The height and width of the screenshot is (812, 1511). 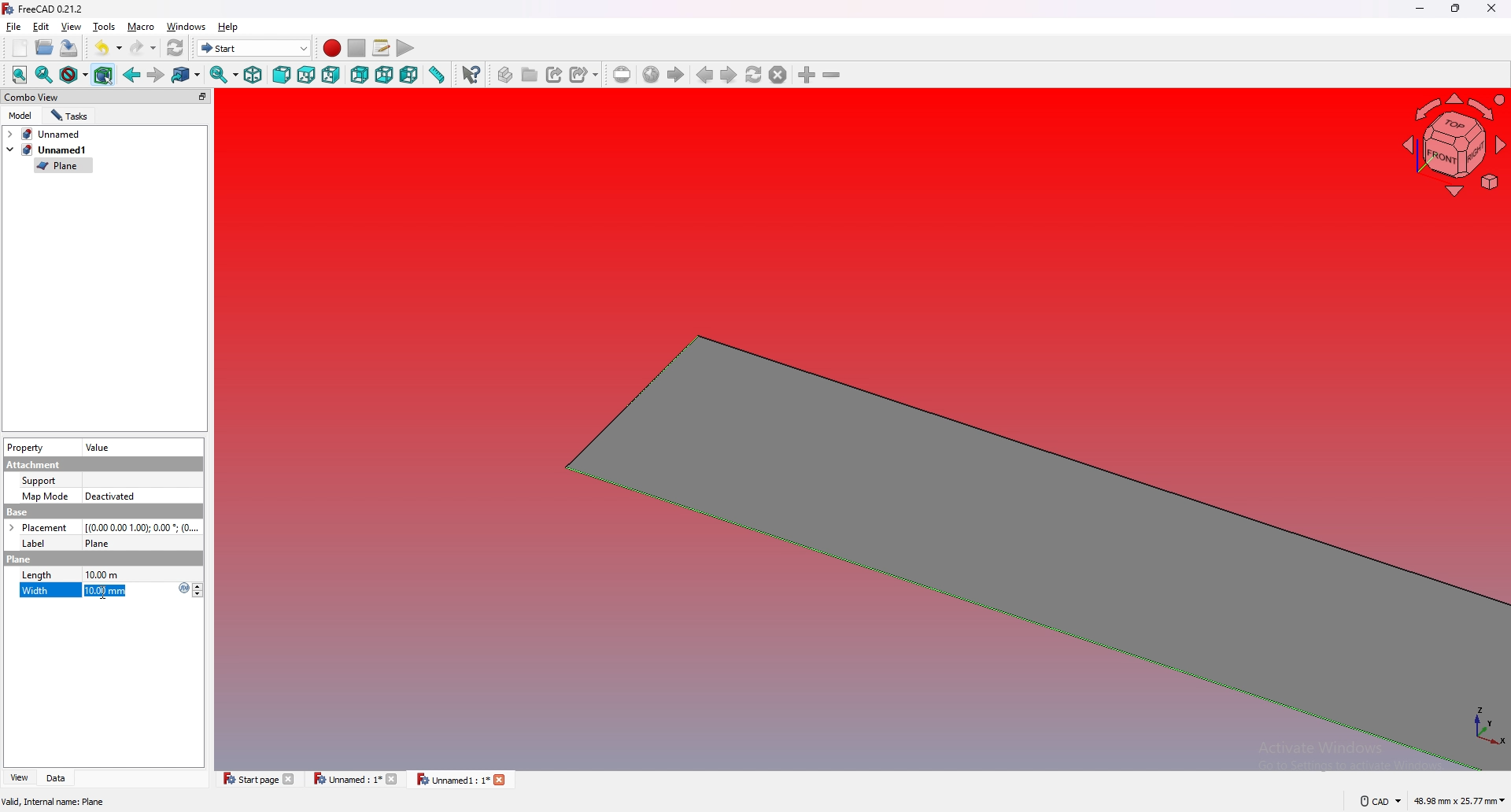 What do you see at coordinates (104, 75) in the screenshot?
I see `bounding box` at bounding box center [104, 75].